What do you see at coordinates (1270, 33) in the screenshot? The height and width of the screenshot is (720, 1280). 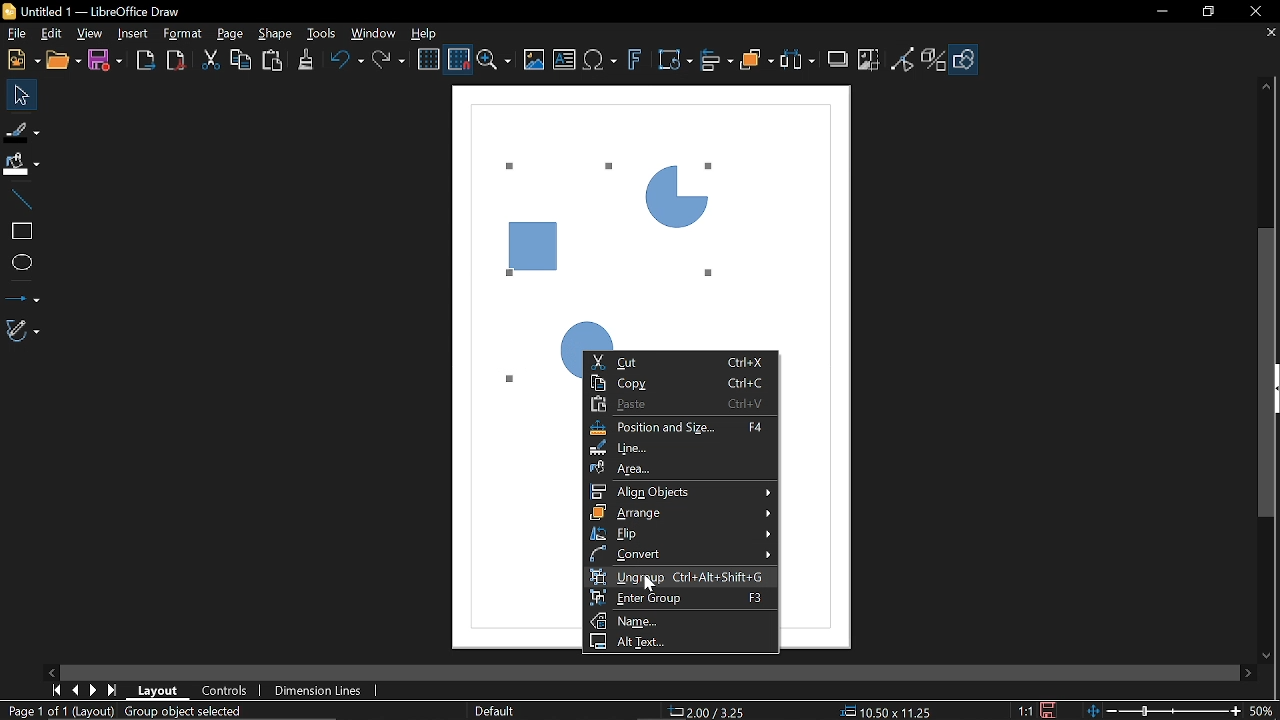 I see `Close tab` at bounding box center [1270, 33].